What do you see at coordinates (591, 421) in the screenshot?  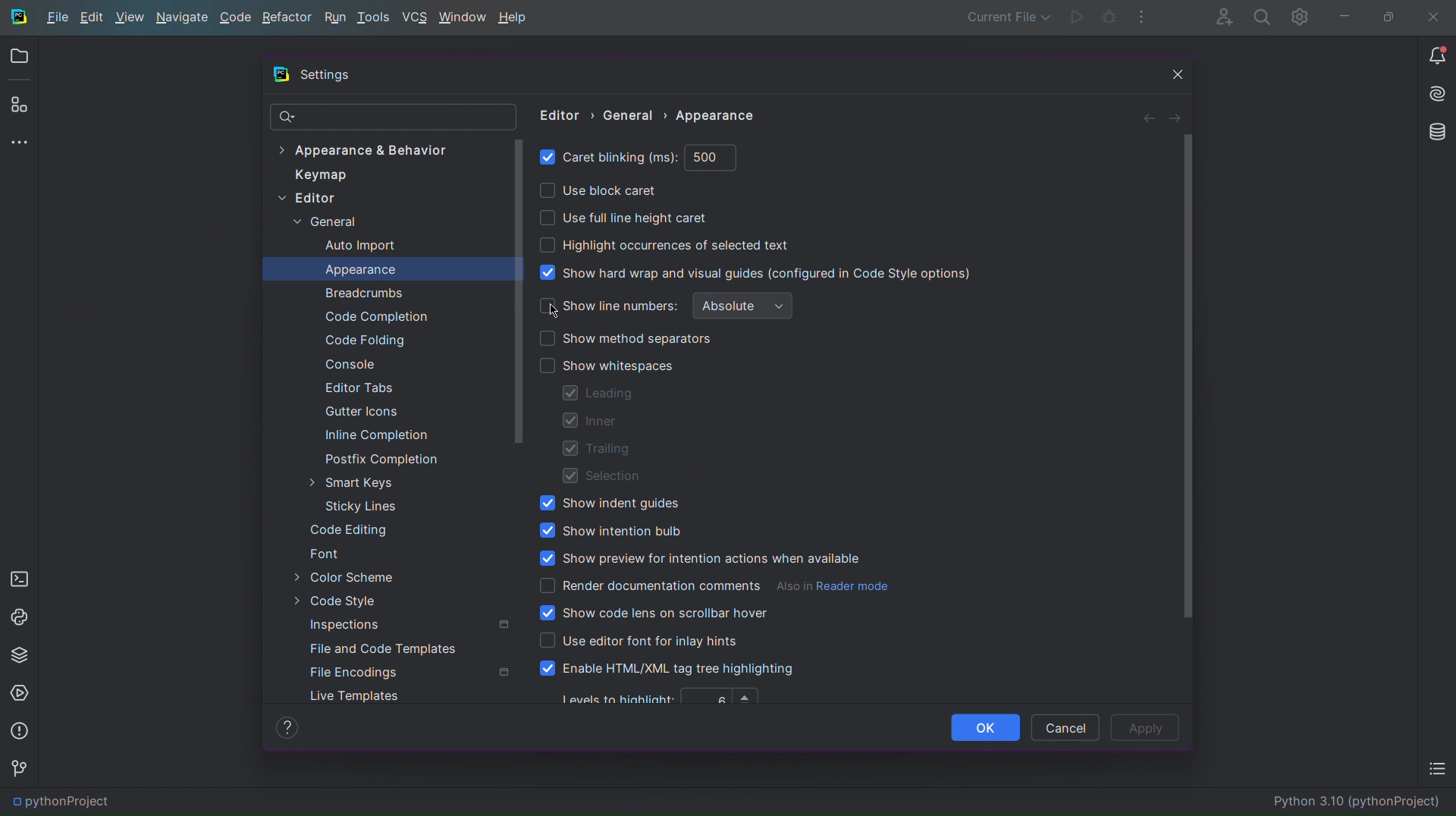 I see `Inner` at bounding box center [591, 421].